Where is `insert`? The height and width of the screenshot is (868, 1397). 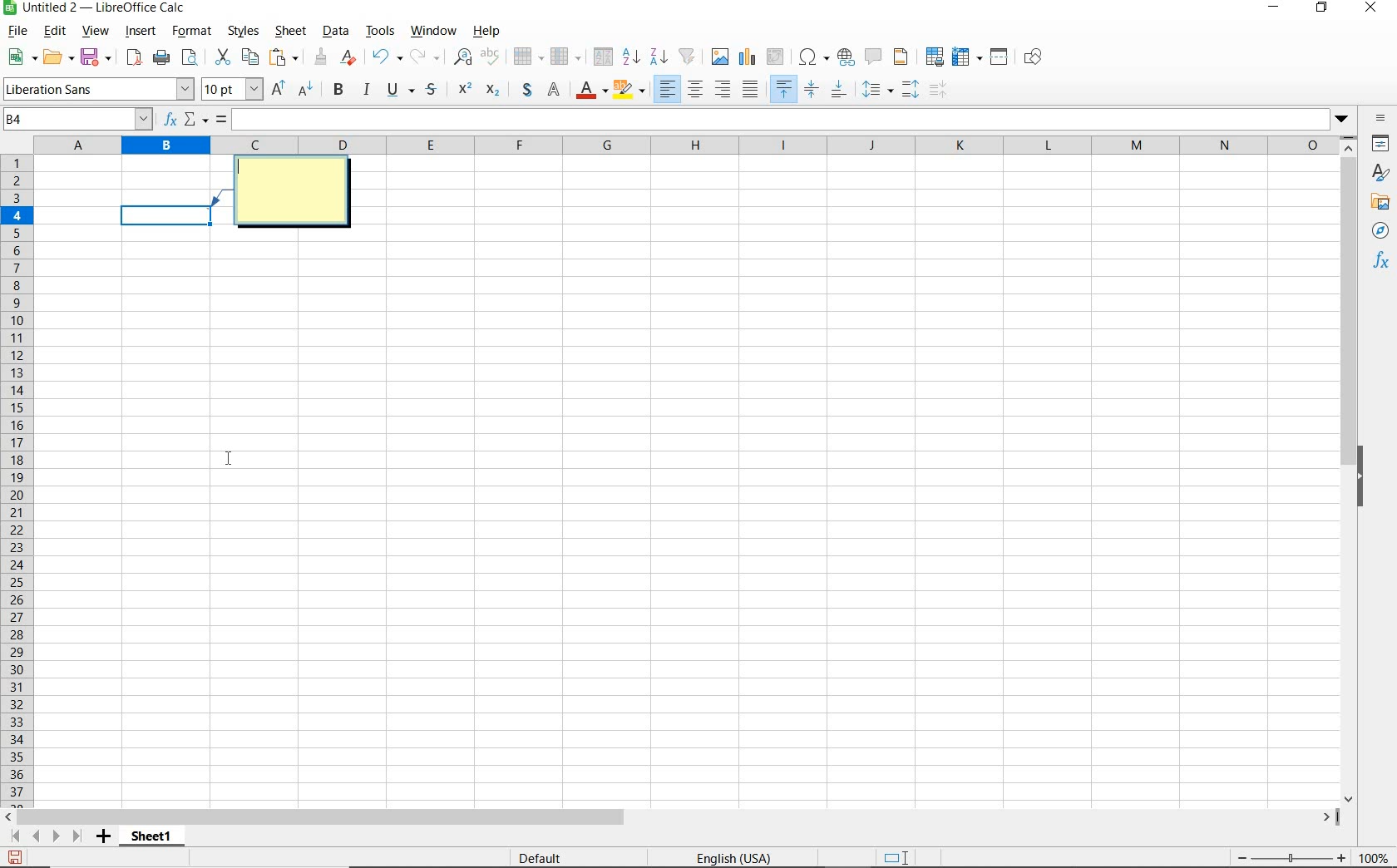
insert is located at coordinates (141, 32).